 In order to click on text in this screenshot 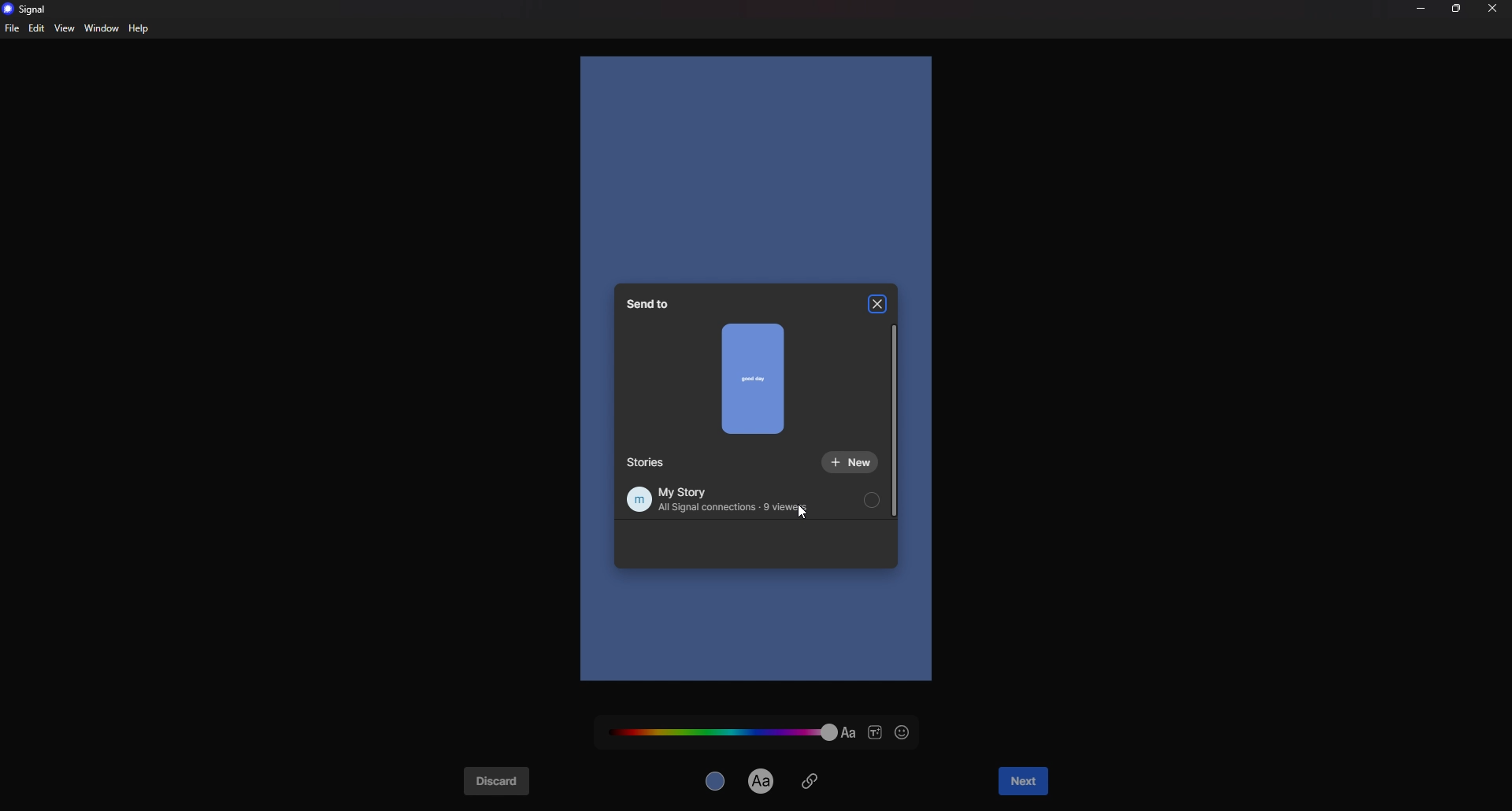, I will do `click(762, 780)`.